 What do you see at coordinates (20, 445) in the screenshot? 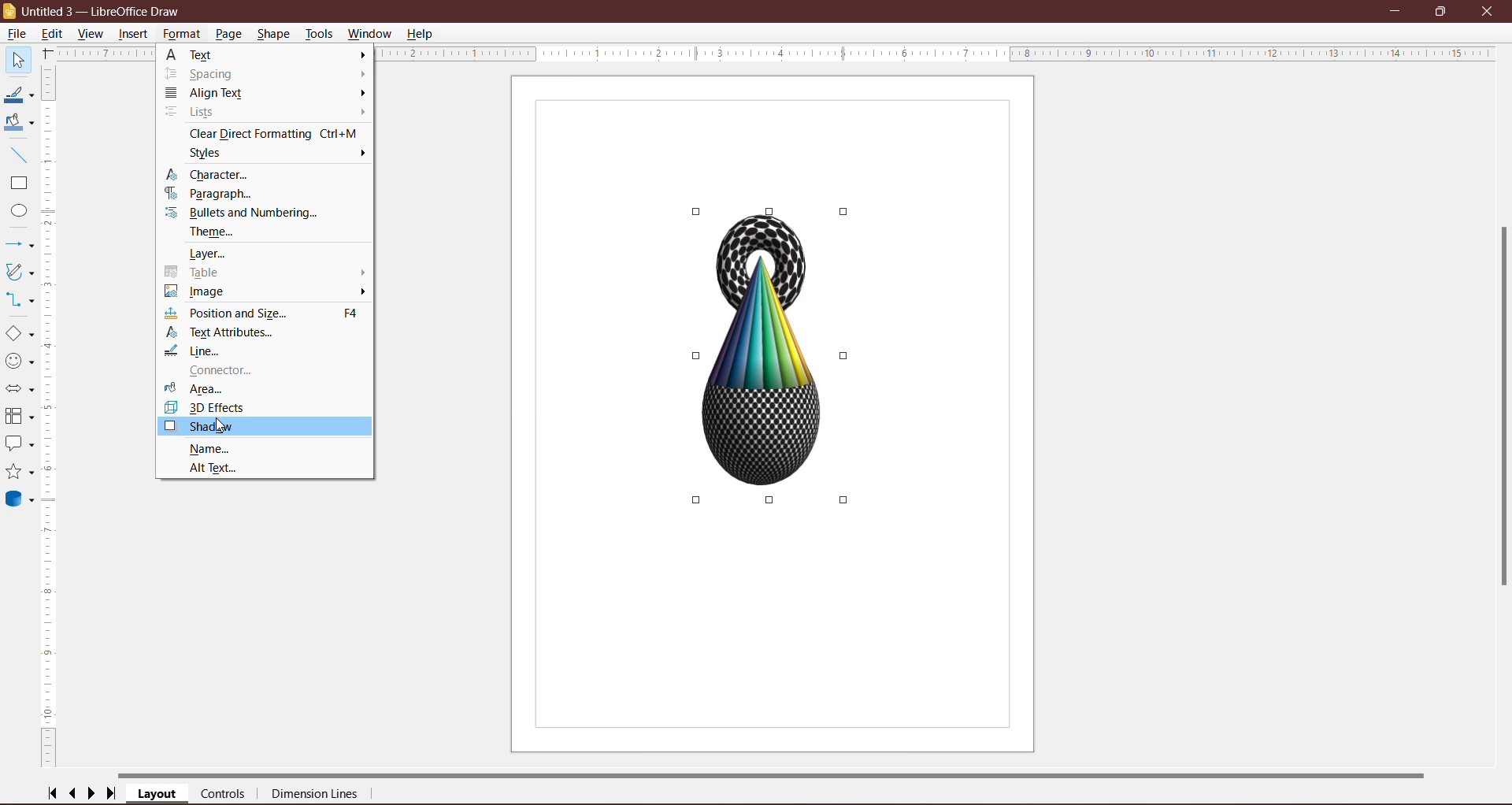
I see `Callout Shapes` at bounding box center [20, 445].